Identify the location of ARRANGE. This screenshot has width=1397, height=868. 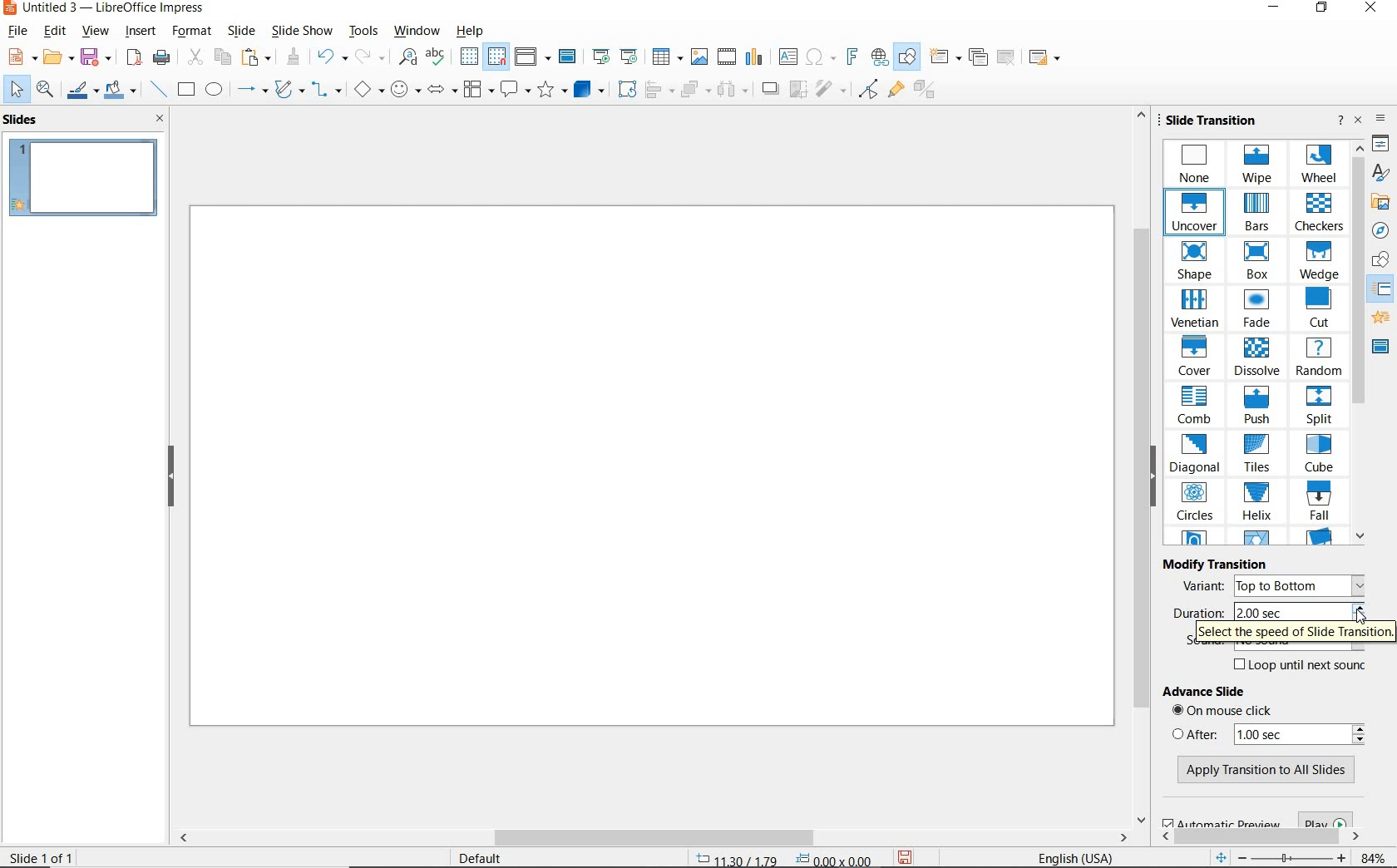
(694, 89).